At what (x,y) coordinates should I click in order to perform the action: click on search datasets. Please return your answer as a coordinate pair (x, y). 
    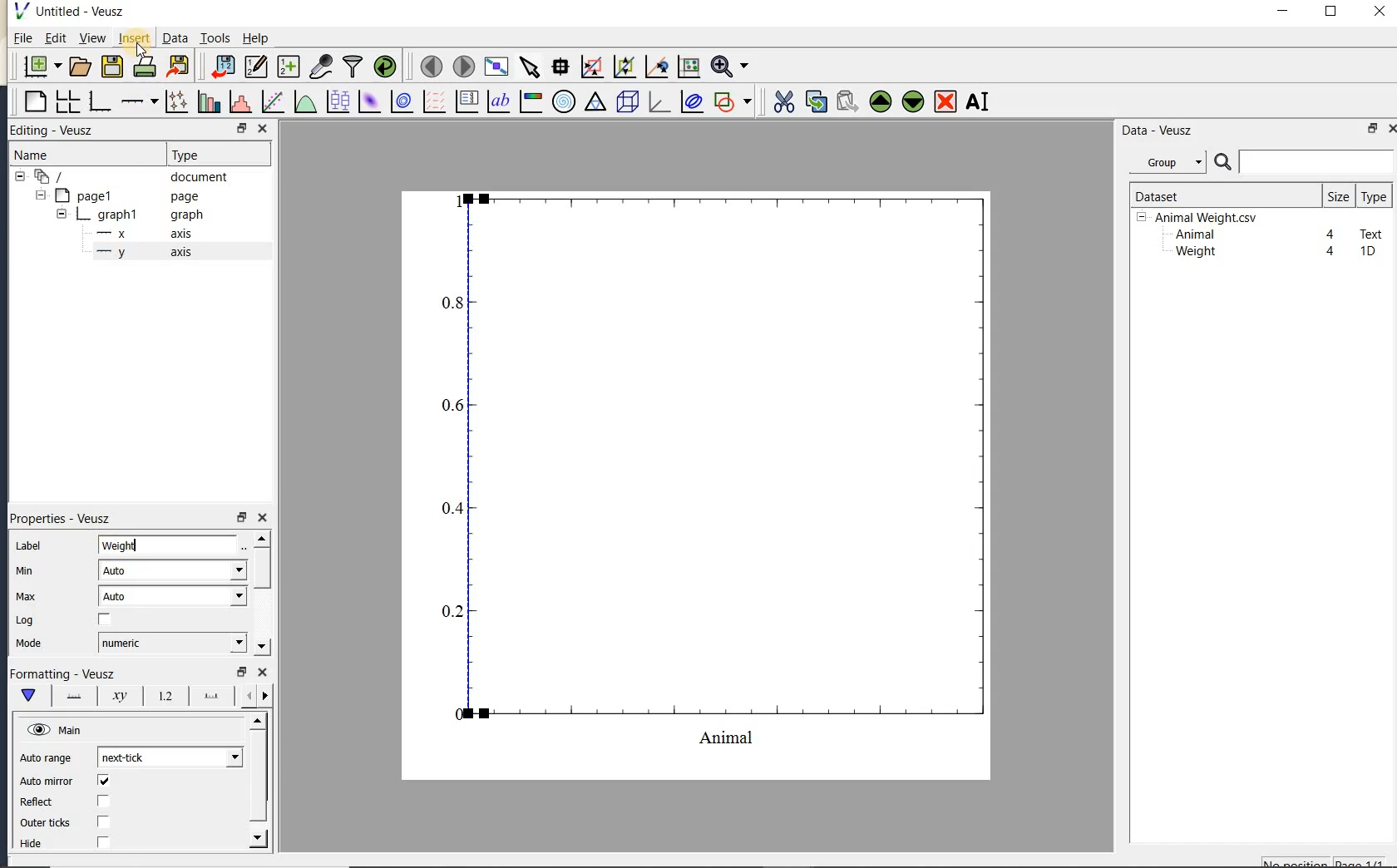
    Looking at the image, I should click on (1304, 162).